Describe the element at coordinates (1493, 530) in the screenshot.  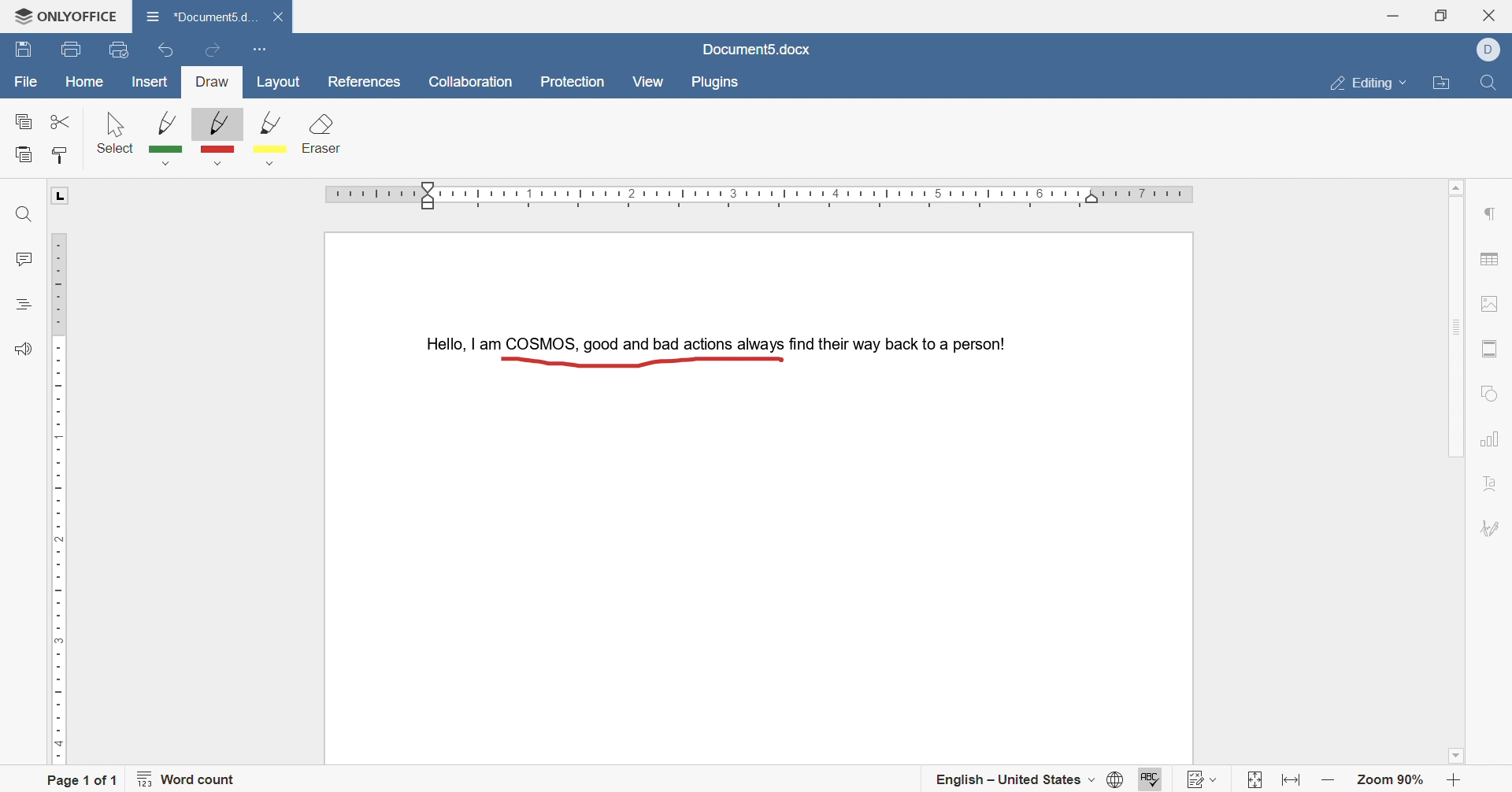
I see `signature settings` at that location.